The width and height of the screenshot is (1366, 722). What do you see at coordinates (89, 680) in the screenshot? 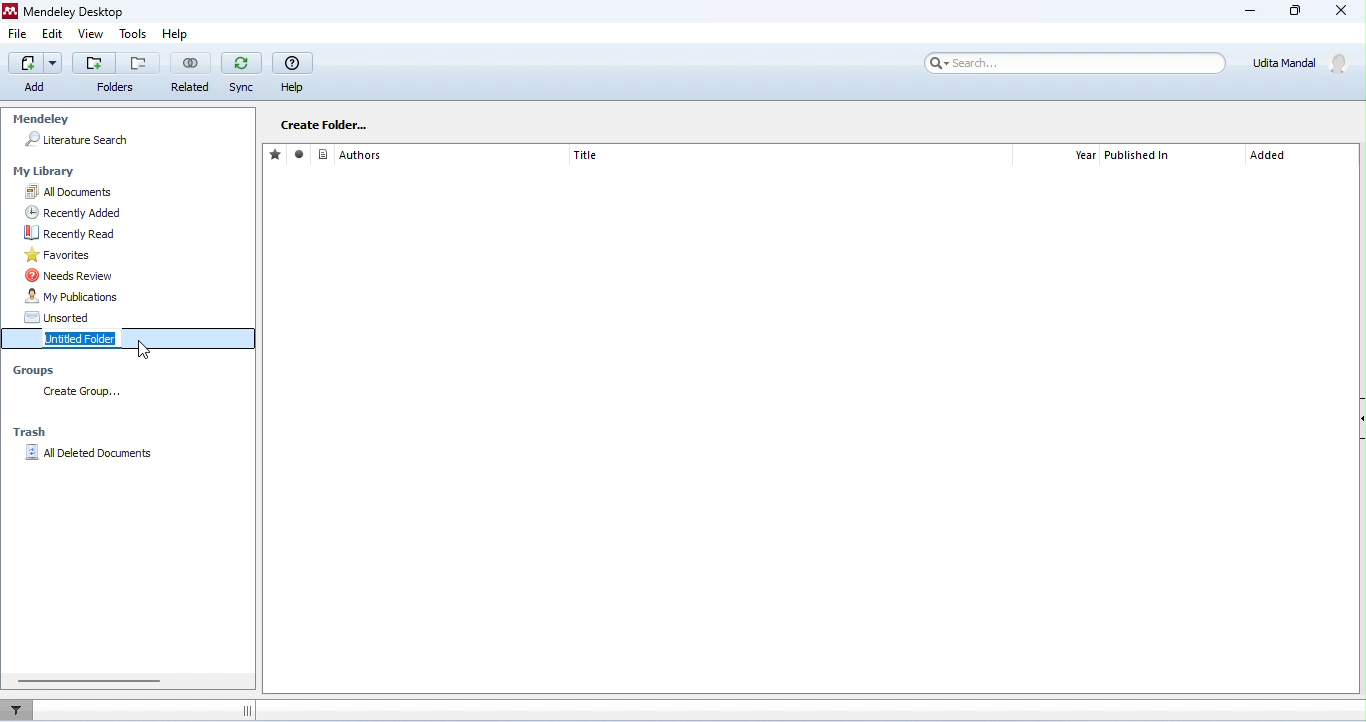
I see `horizontal scroll bar` at bounding box center [89, 680].